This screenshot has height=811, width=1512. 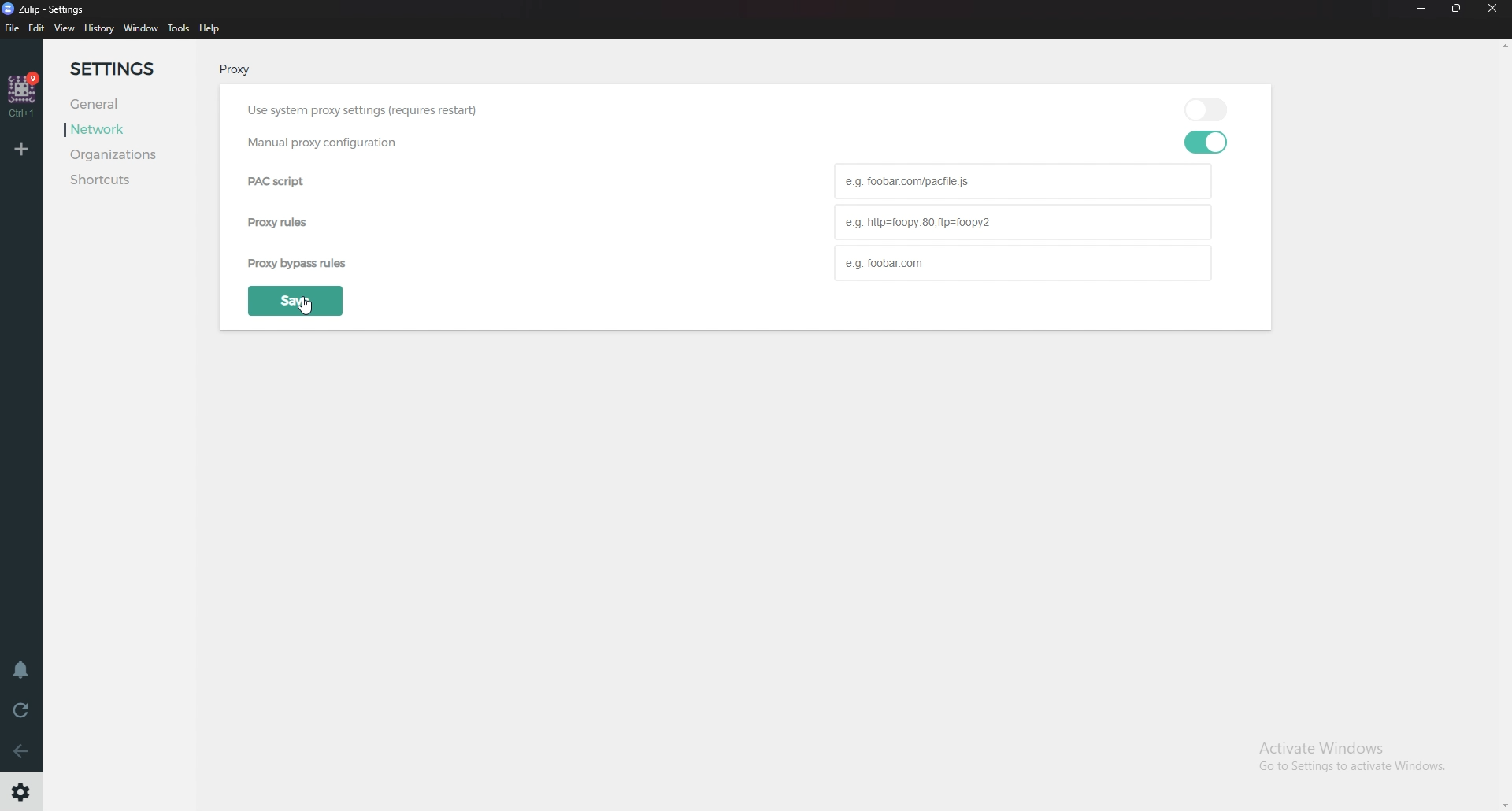 I want to click on Pac script, so click(x=1026, y=181).